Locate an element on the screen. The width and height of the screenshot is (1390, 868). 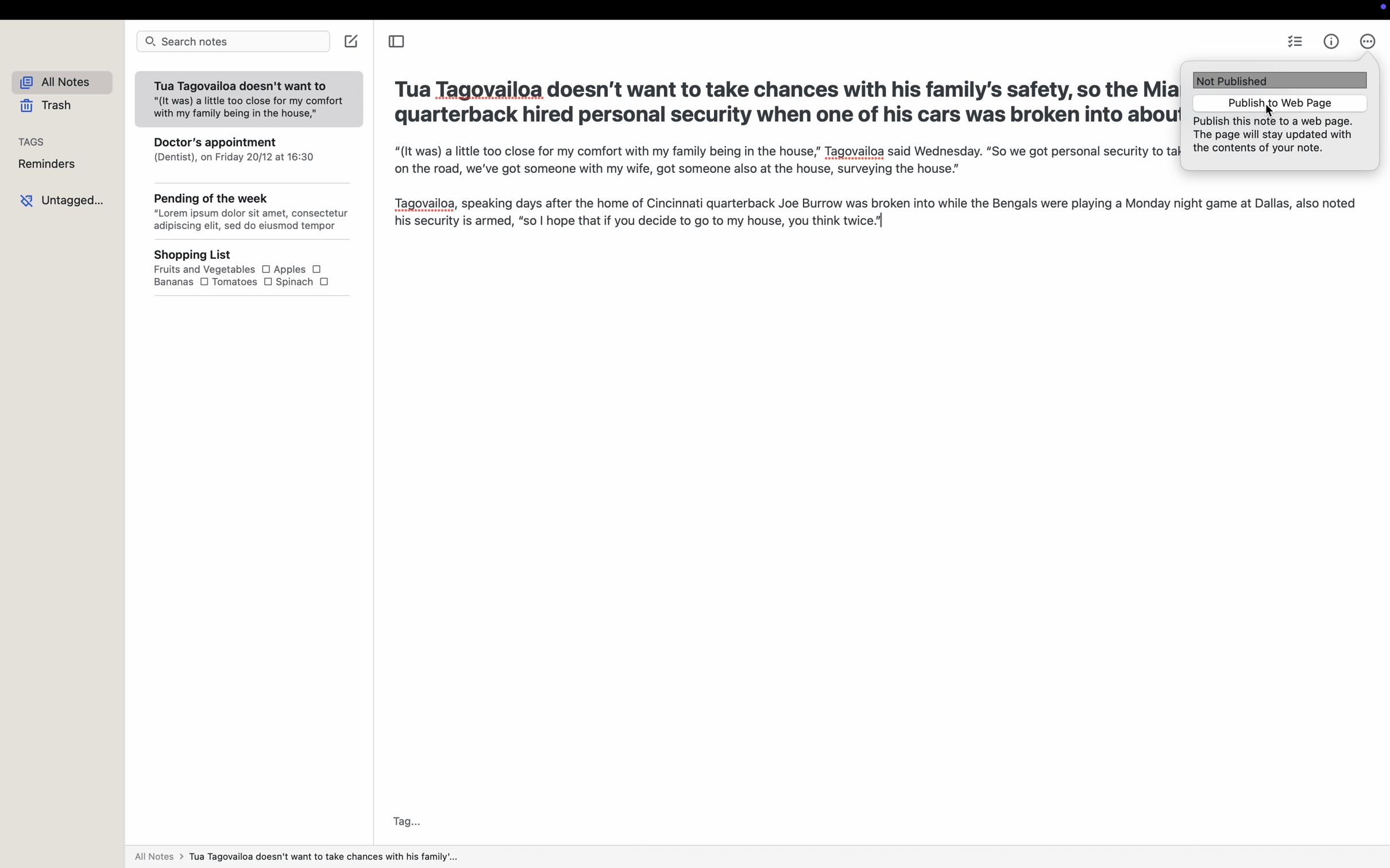
trash is located at coordinates (49, 107).